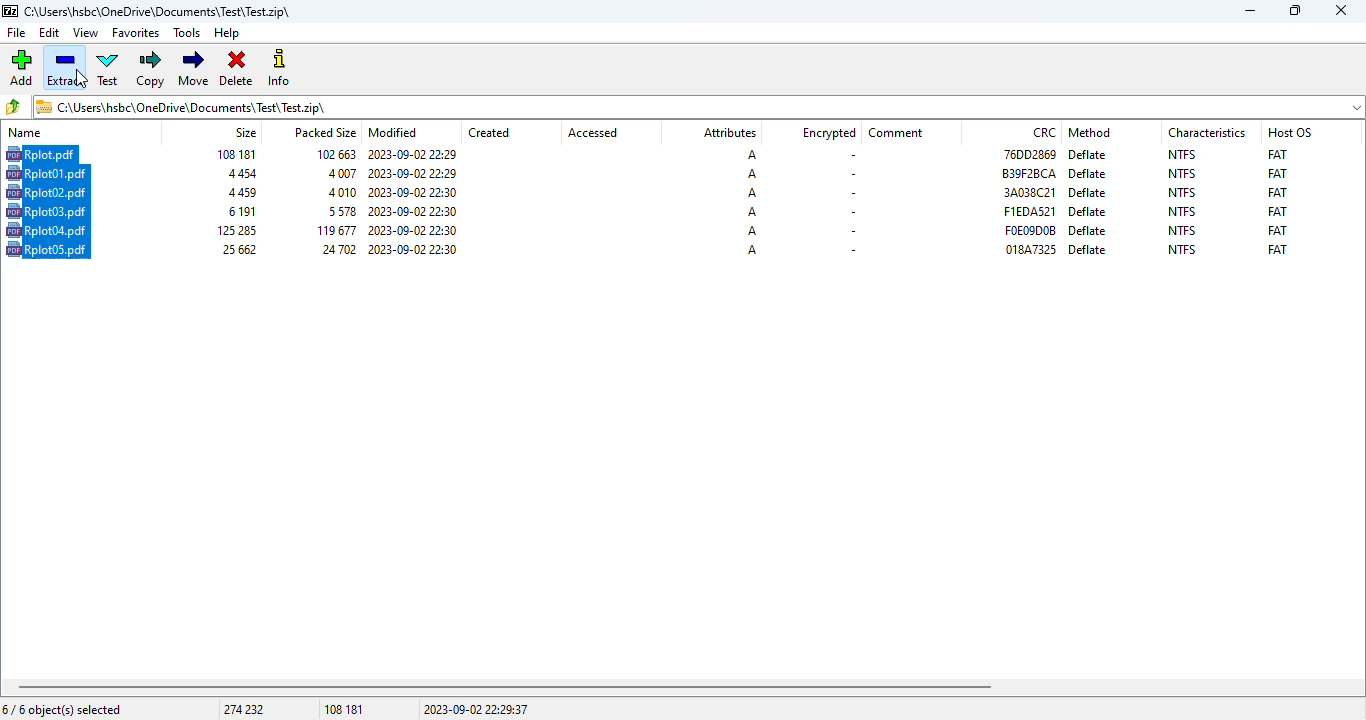 Image resolution: width=1366 pixels, height=720 pixels. Describe the element at coordinates (1340, 10) in the screenshot. I see `close` at that location.